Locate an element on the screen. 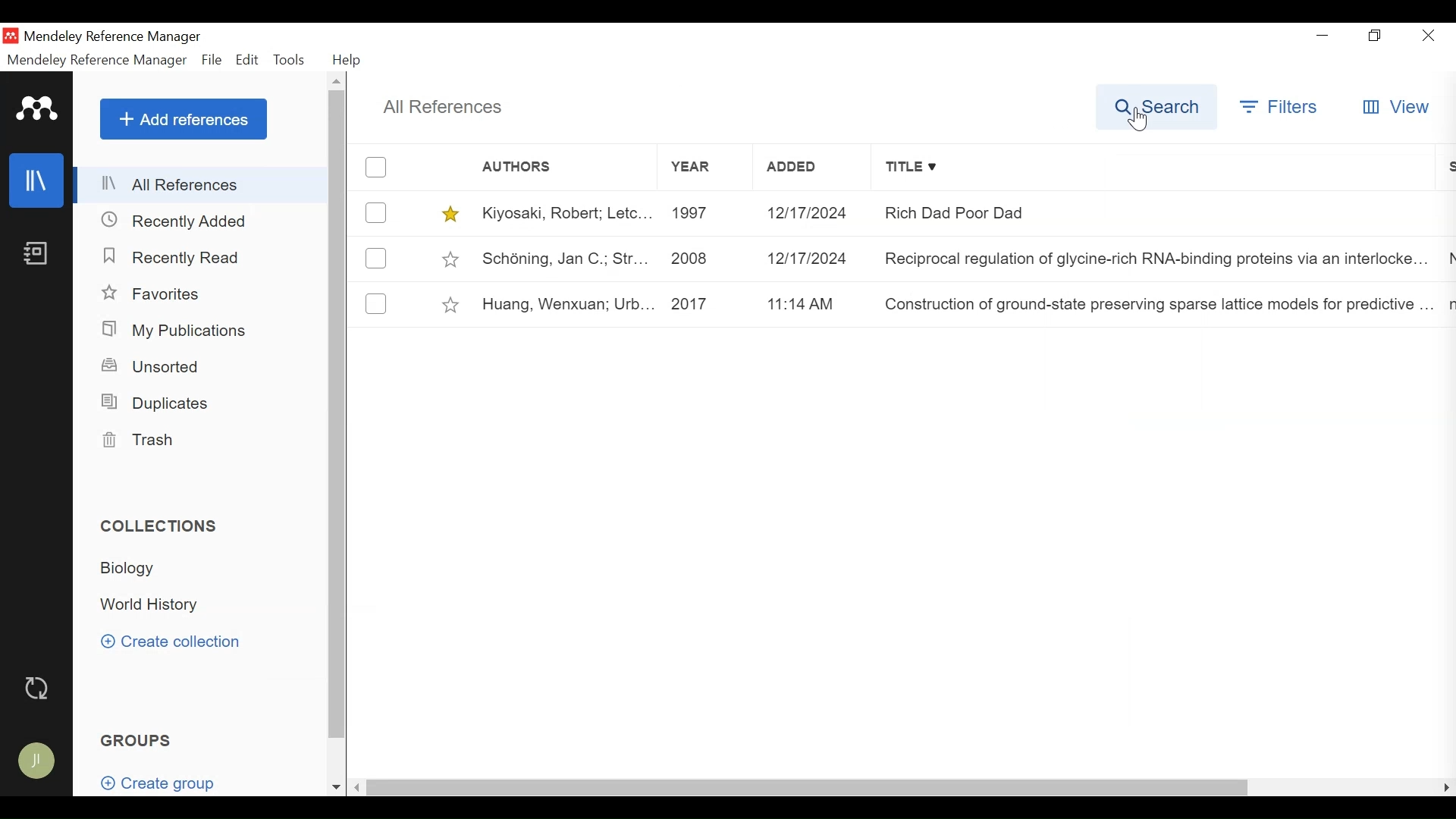 This screenshot has width=1456, height=819. Vertical Scroll bar is located at coordinates (336, 415).